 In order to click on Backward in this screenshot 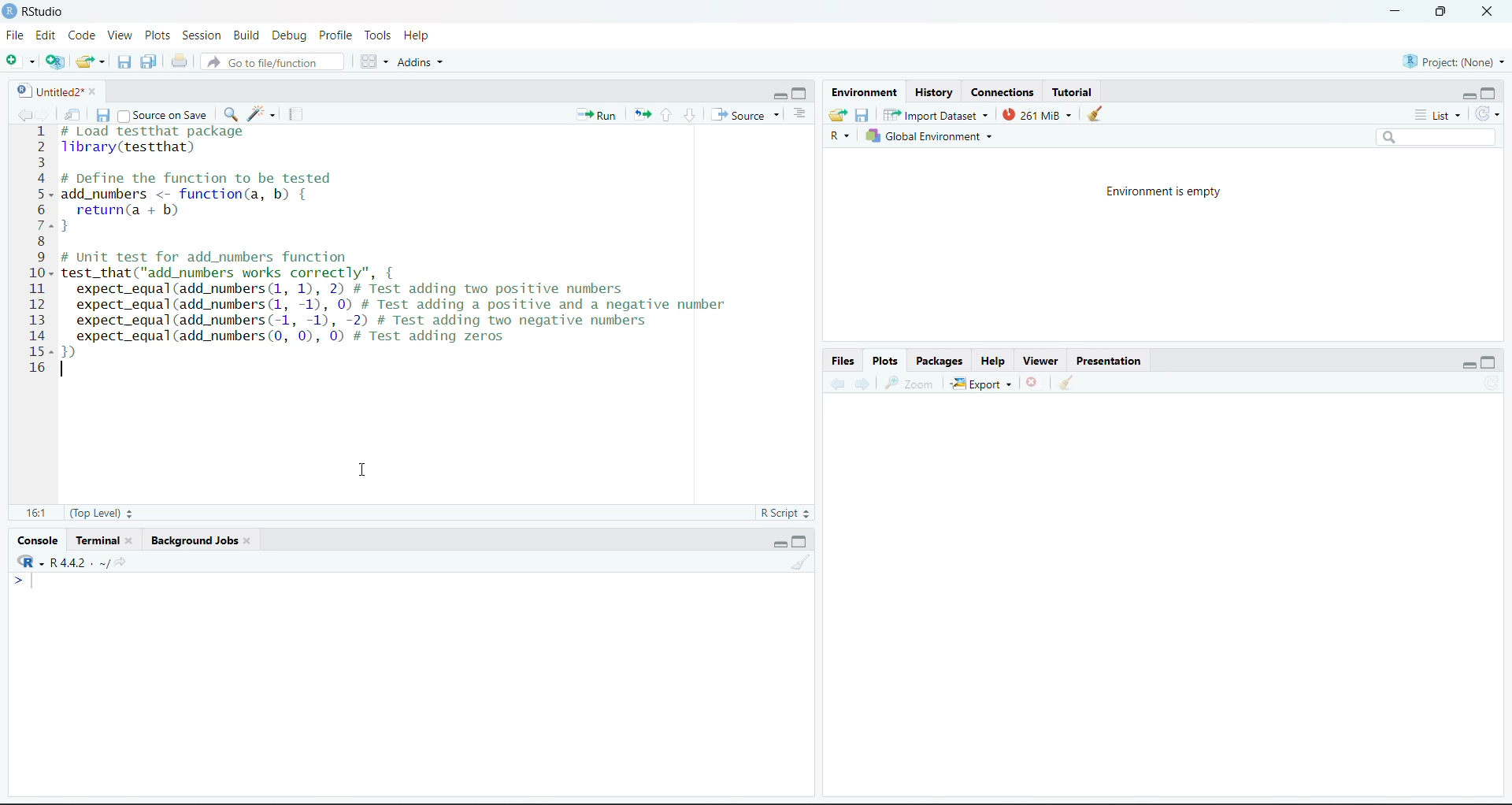, I will do `click(836, 382)`.